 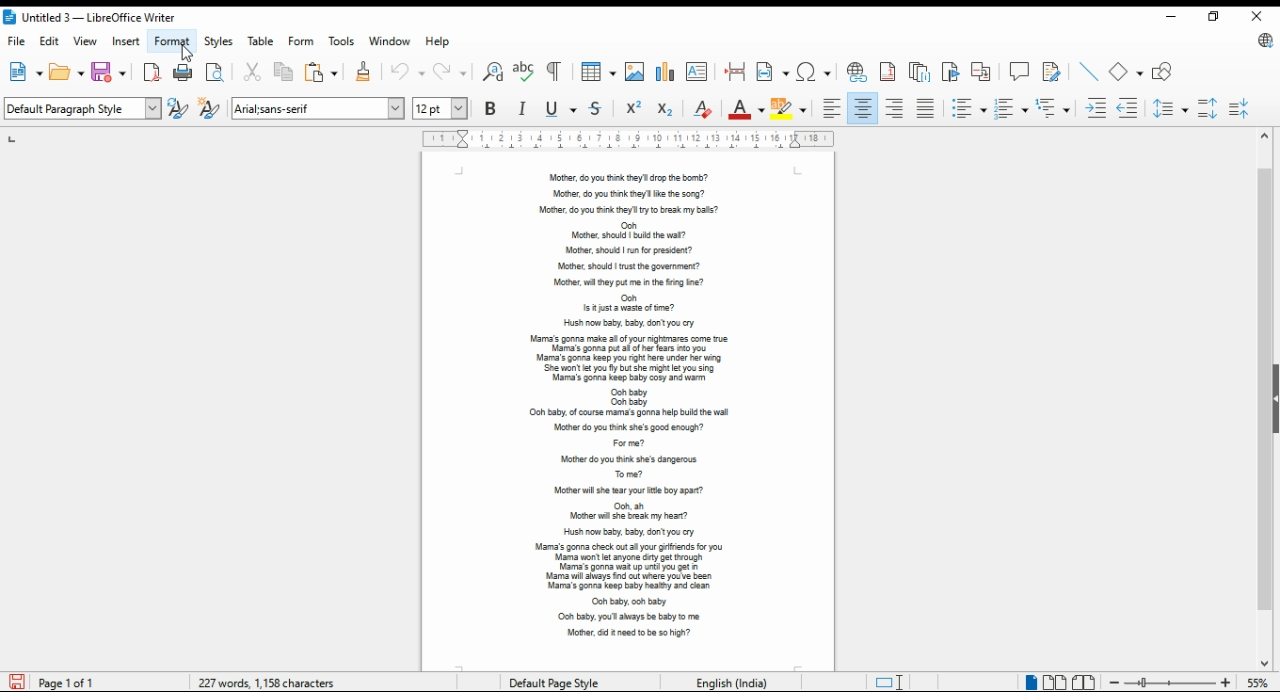 I want to click on cursor, so click(x=187, y=54).